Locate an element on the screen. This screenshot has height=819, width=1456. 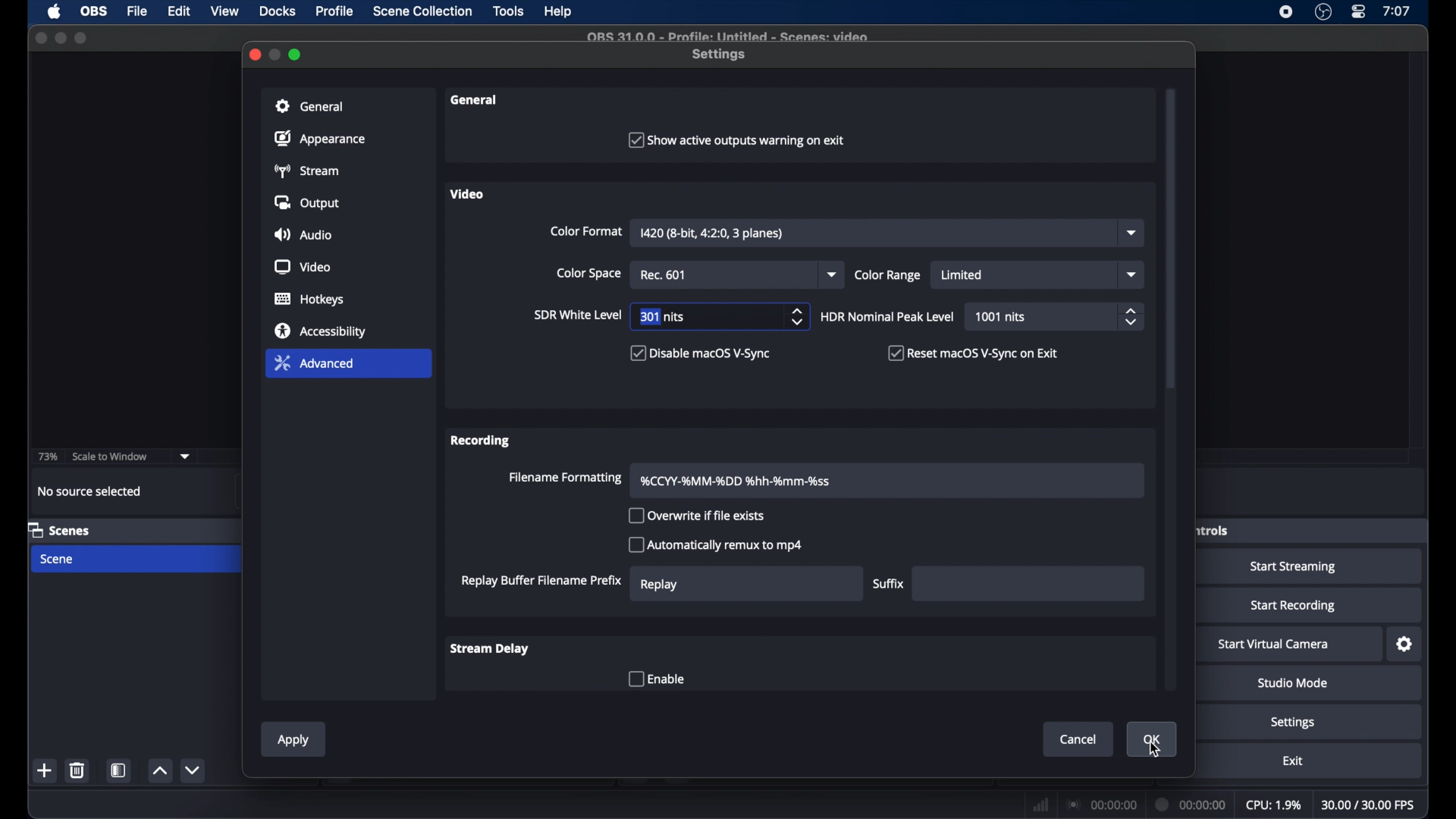
general is located at coordinates (311, 107).